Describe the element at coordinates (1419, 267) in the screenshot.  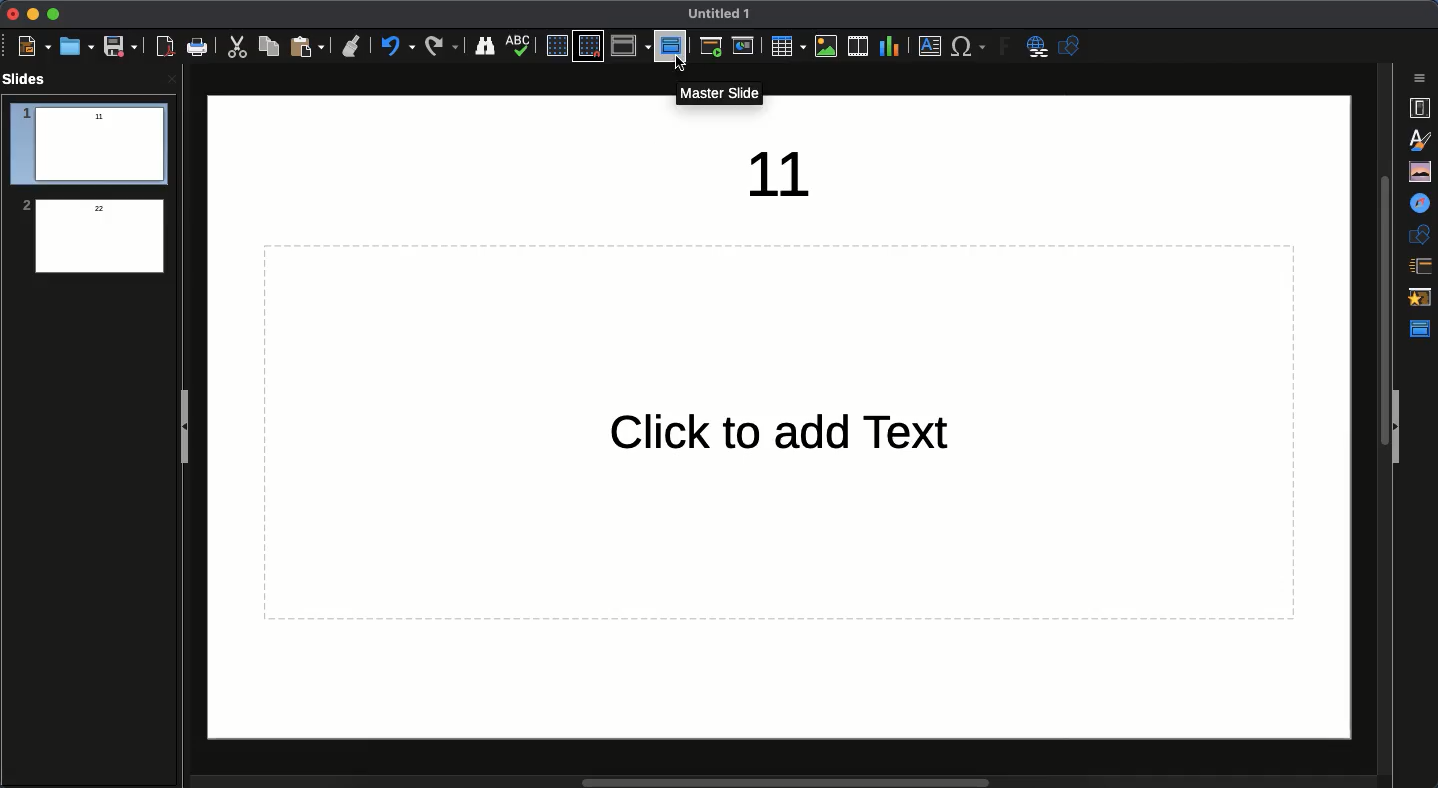
I see `Slide transition` at that location.